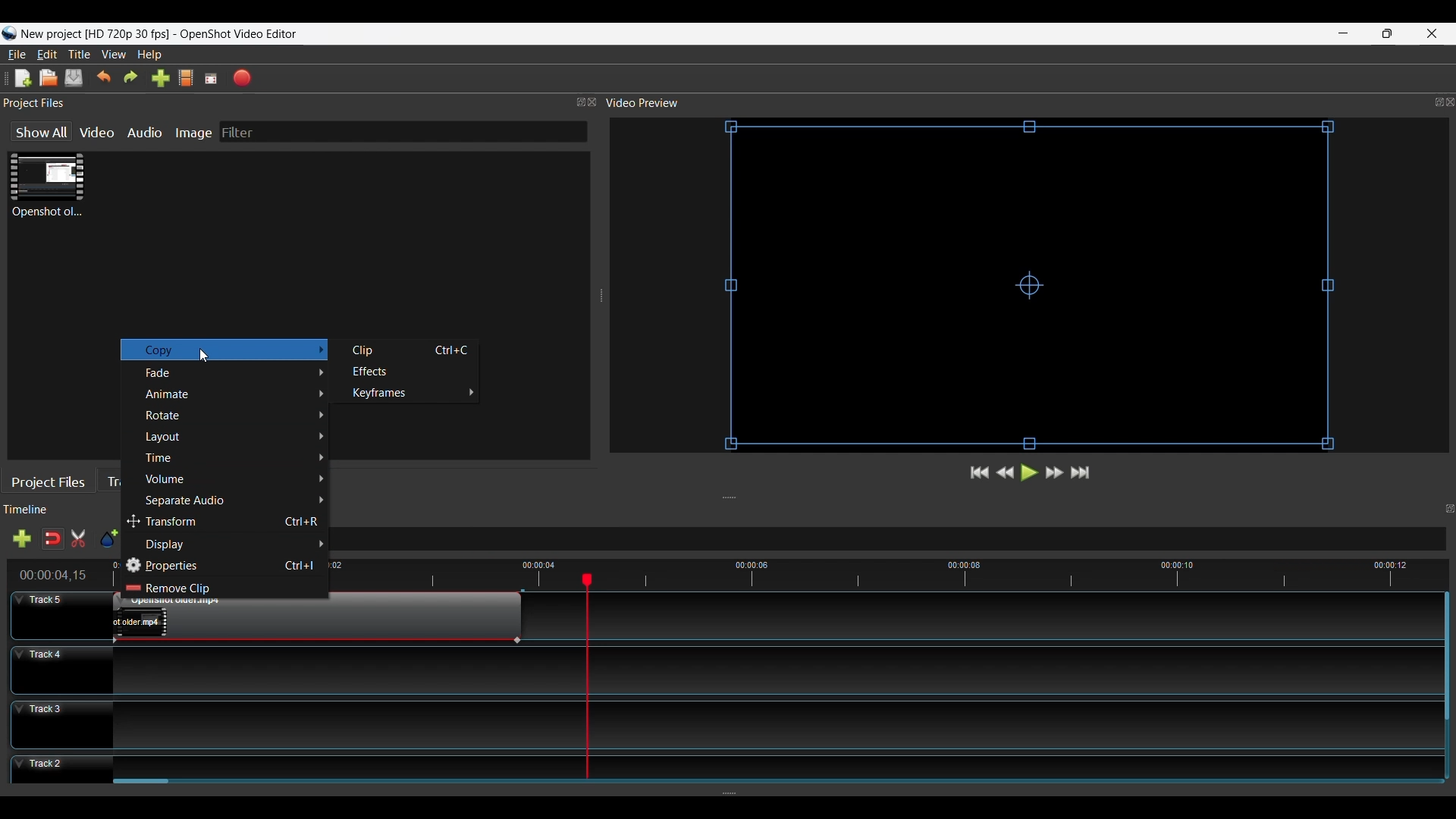 The width and height of the screenshot is (1456, 819). Describe the element at coordinates (315, 622) in the screenshot. I see `Clip at track Panel` at that location.